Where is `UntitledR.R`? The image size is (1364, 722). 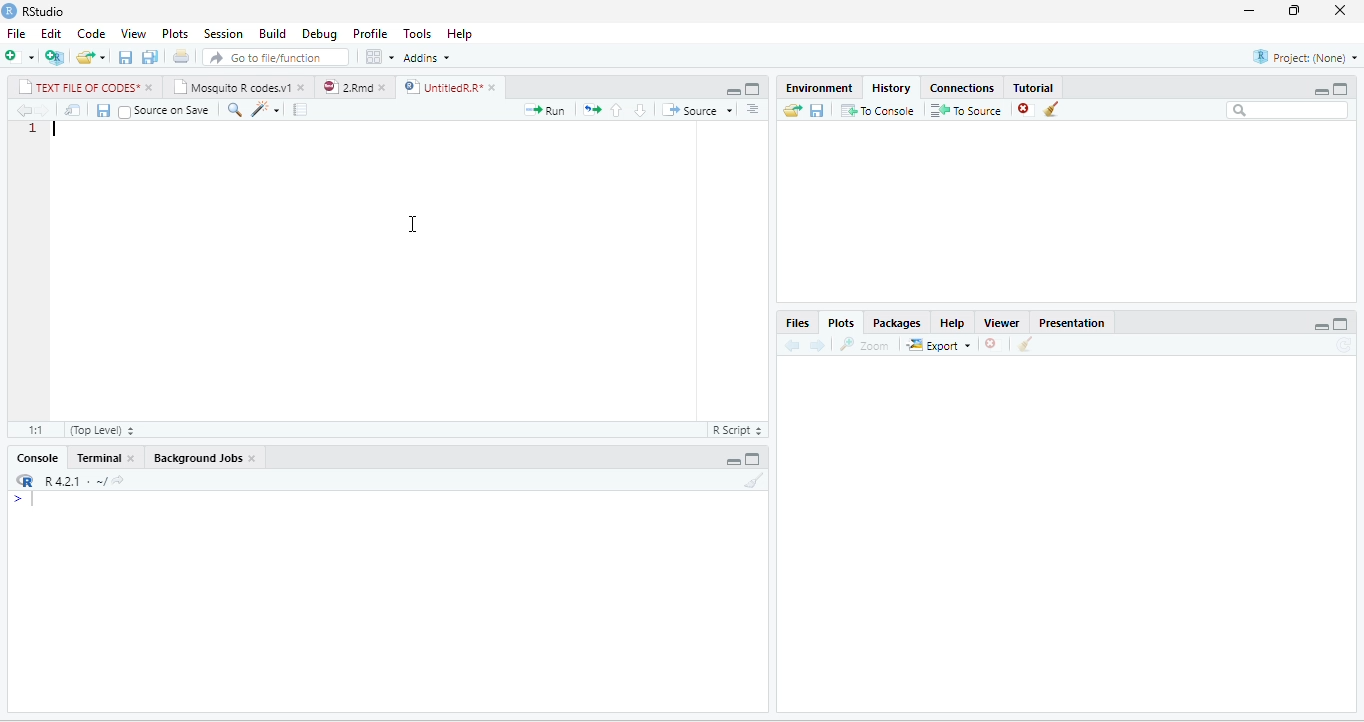 UntitledR.R is located at coordinates (442, 86).